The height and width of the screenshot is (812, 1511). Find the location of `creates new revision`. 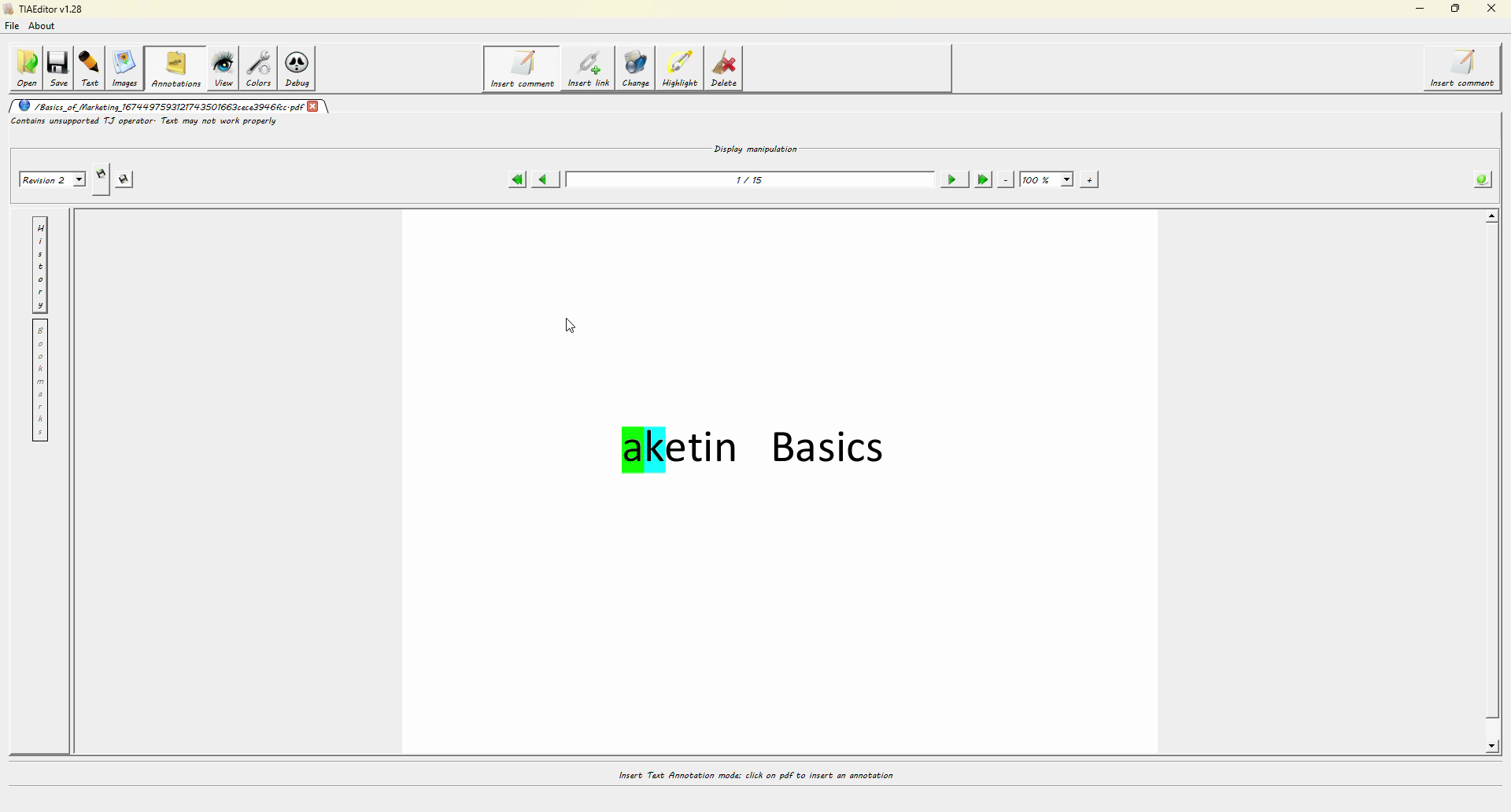

creates new revision is located at coordinates (100, 179).